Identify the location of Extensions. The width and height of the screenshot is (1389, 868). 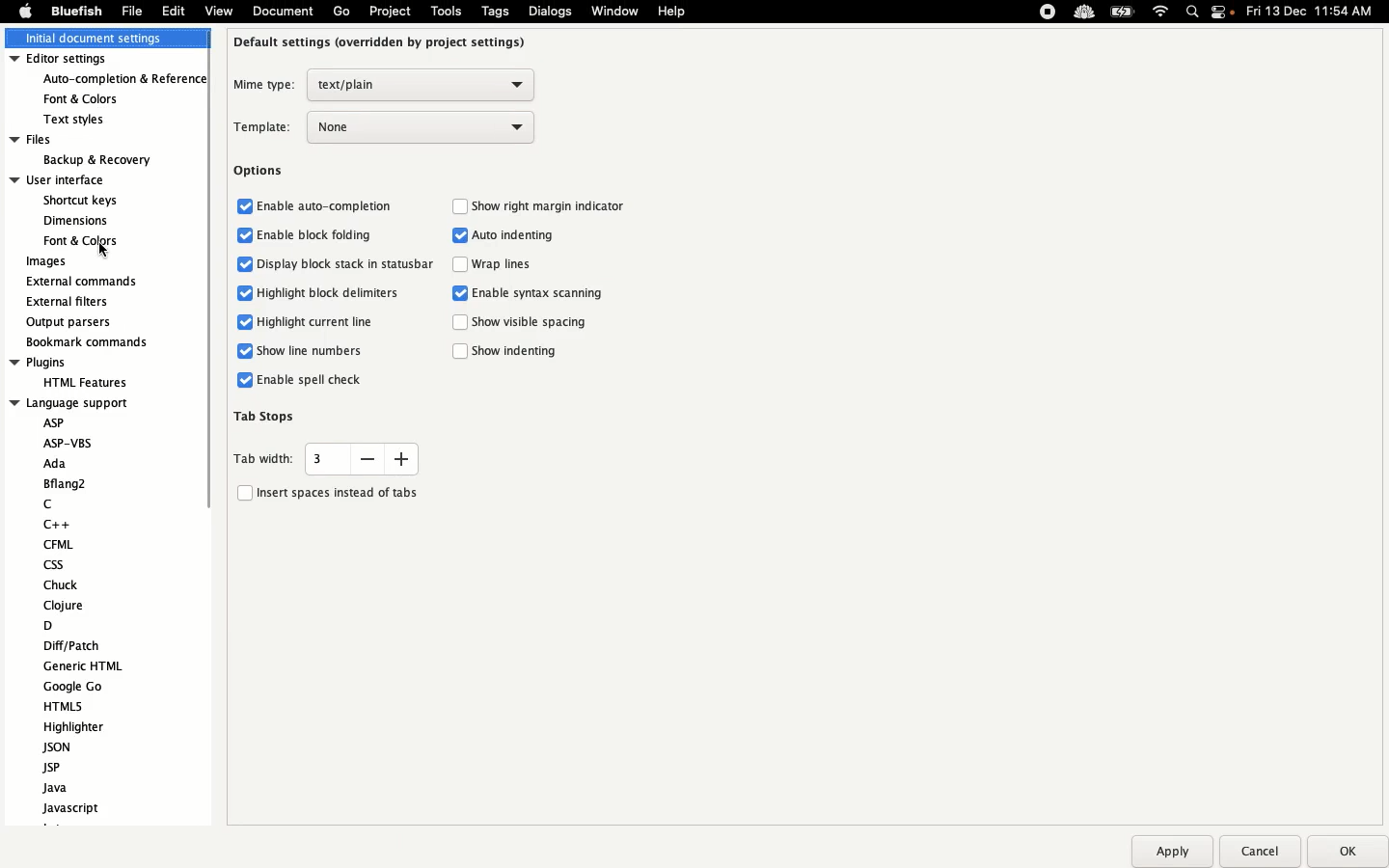
(1064, 12).